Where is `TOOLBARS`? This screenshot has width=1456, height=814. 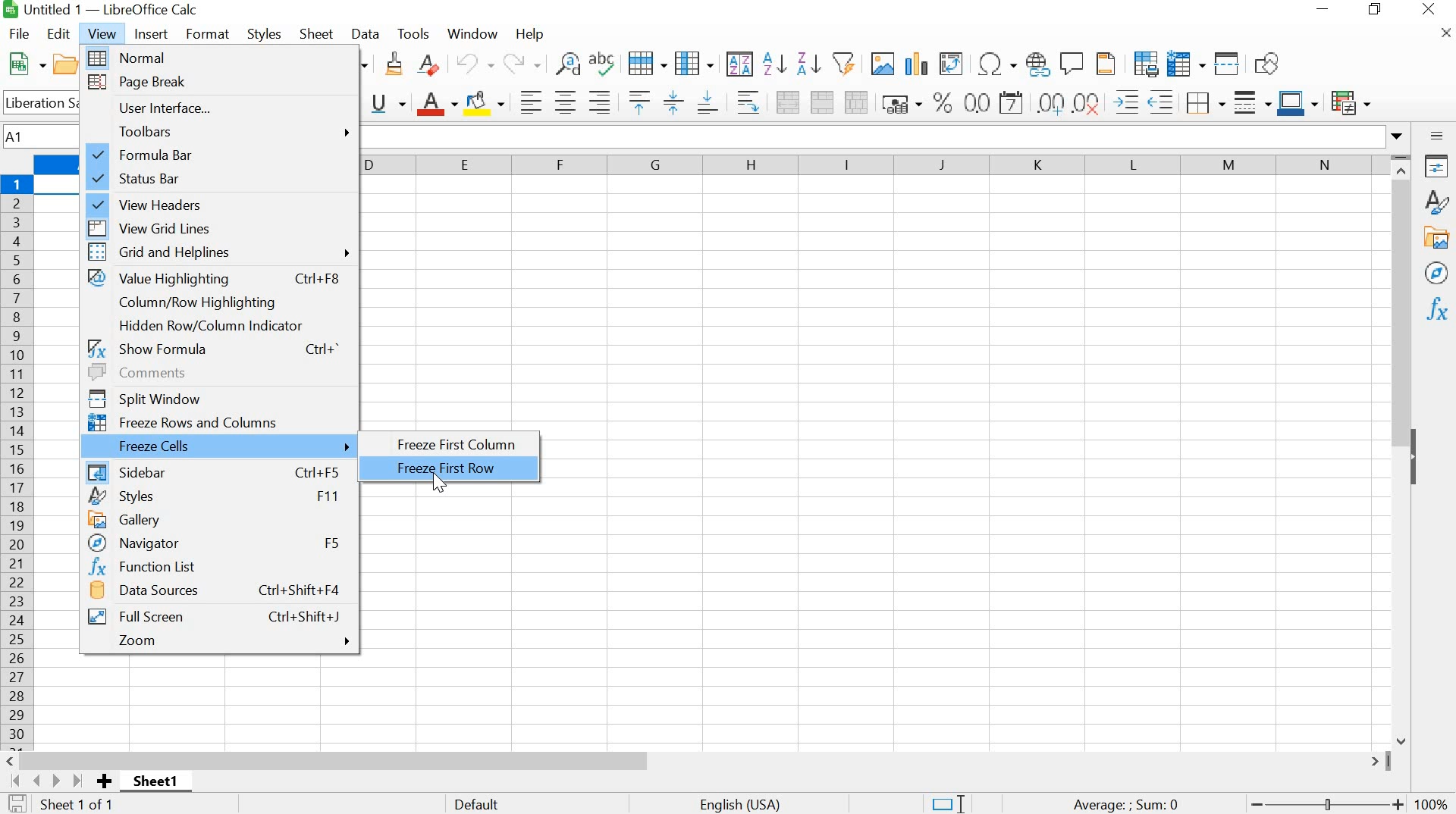 TOOLBARS is located at coordinates (221, 131).